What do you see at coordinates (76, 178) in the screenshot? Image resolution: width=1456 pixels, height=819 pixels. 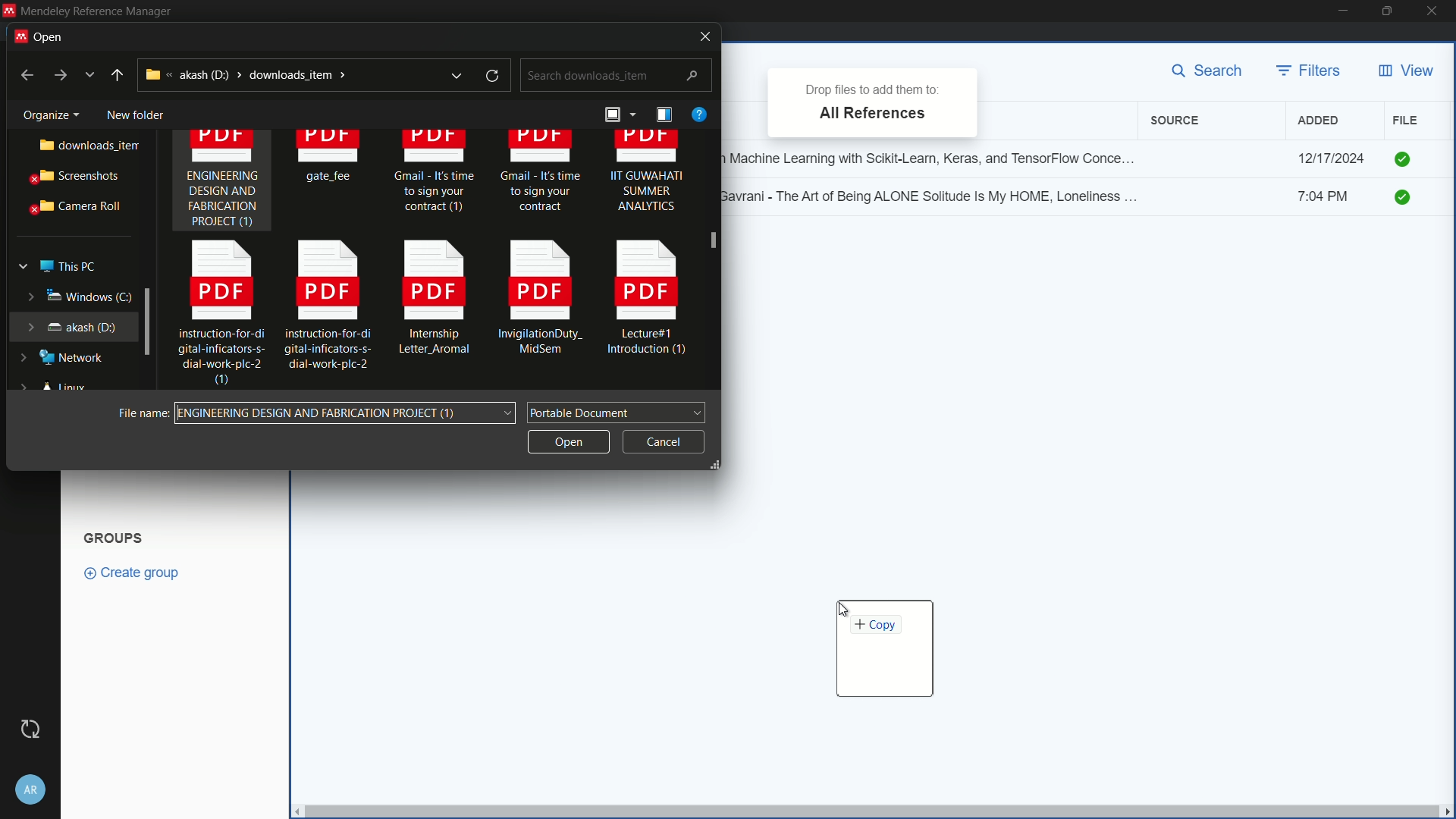 I see `screenshots` at bounding box center [76, 178].